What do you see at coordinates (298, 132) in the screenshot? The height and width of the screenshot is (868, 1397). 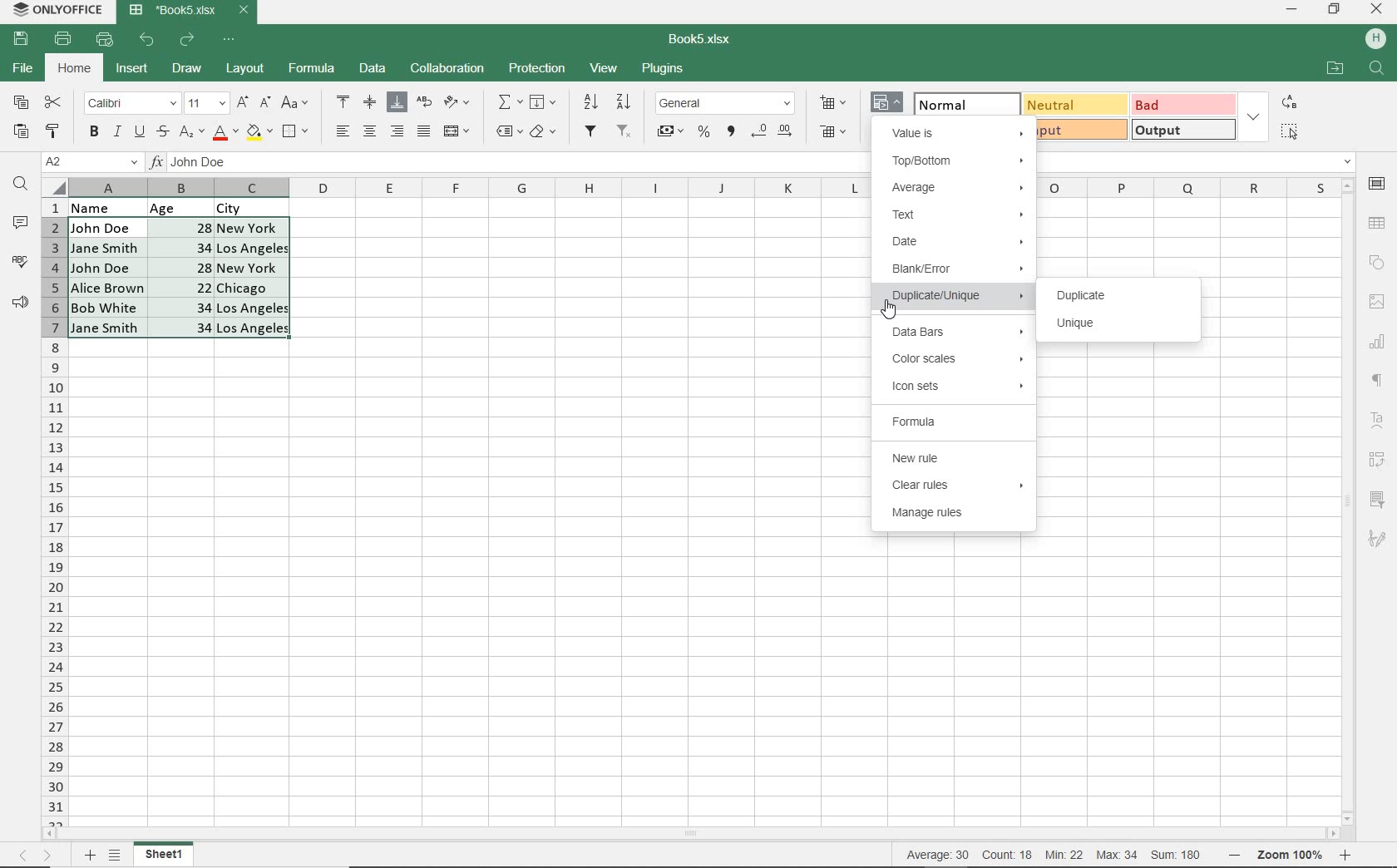 I see `BORDERS` at bounding box center [298, 132].